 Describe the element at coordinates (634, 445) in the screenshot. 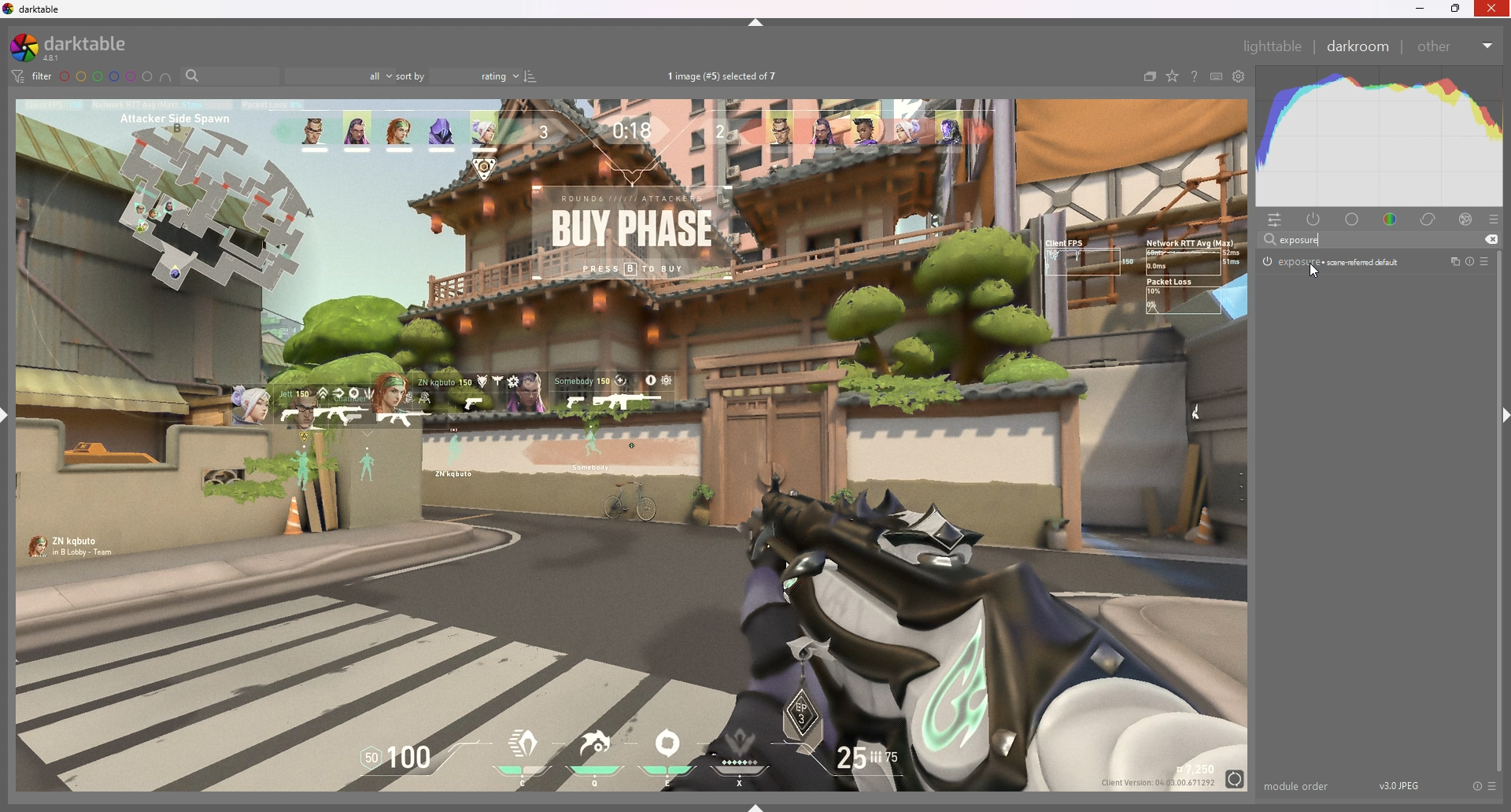

I see `image` at that location.